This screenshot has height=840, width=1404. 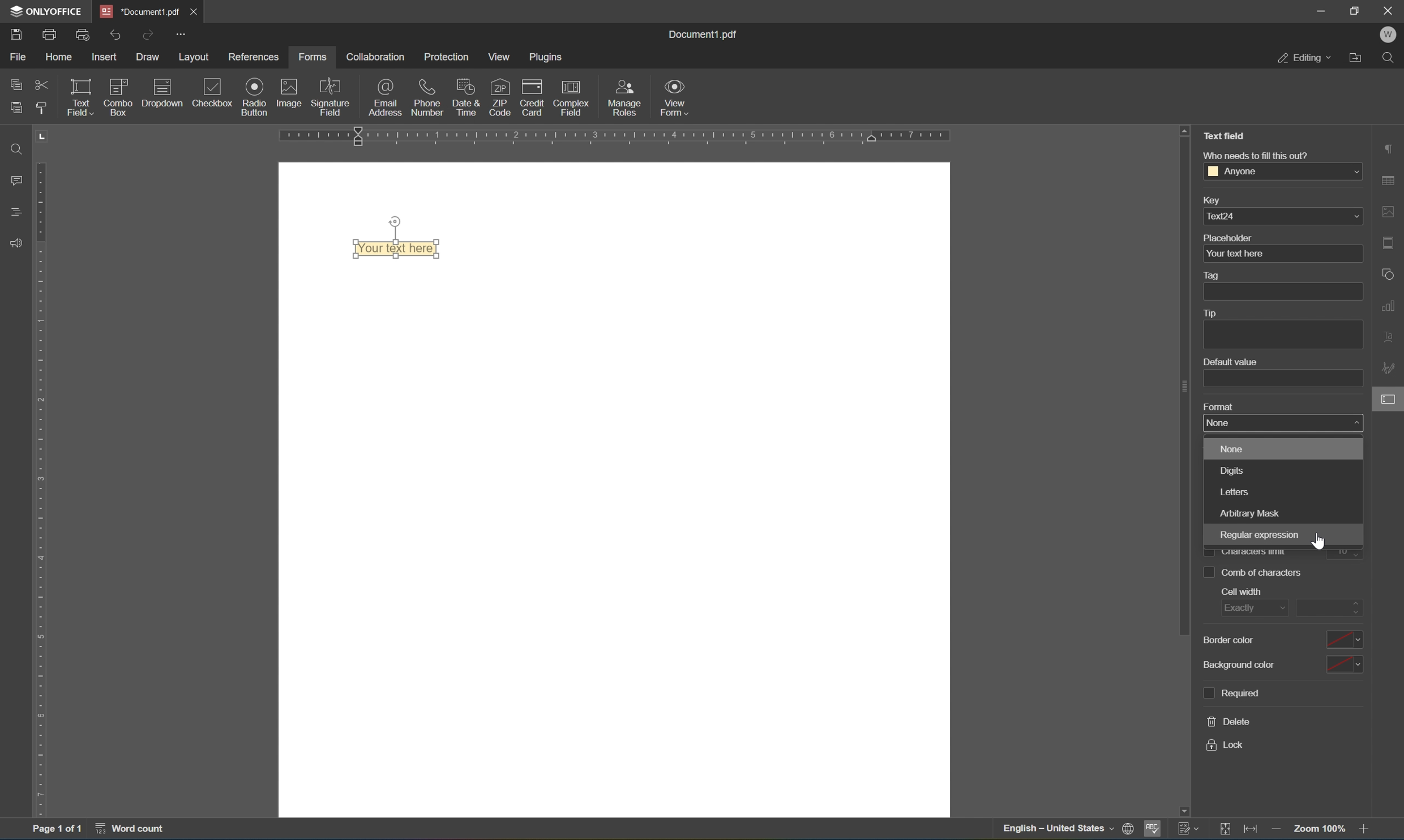 I want to click on scroll bar, so click(x=1184, y=387).